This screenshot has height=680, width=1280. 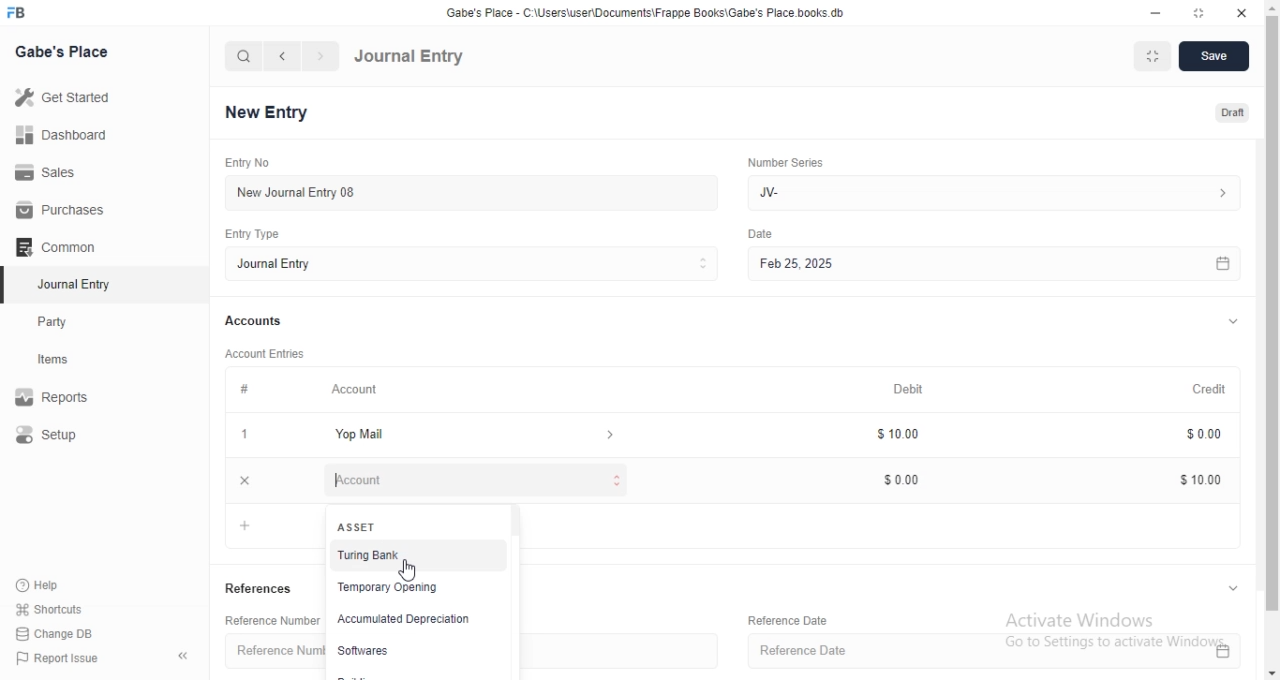 What do you see at coordinates (405, 620) in the screenshot?
I see `Accumulated Depreciation` at bounding box center [405, 620].